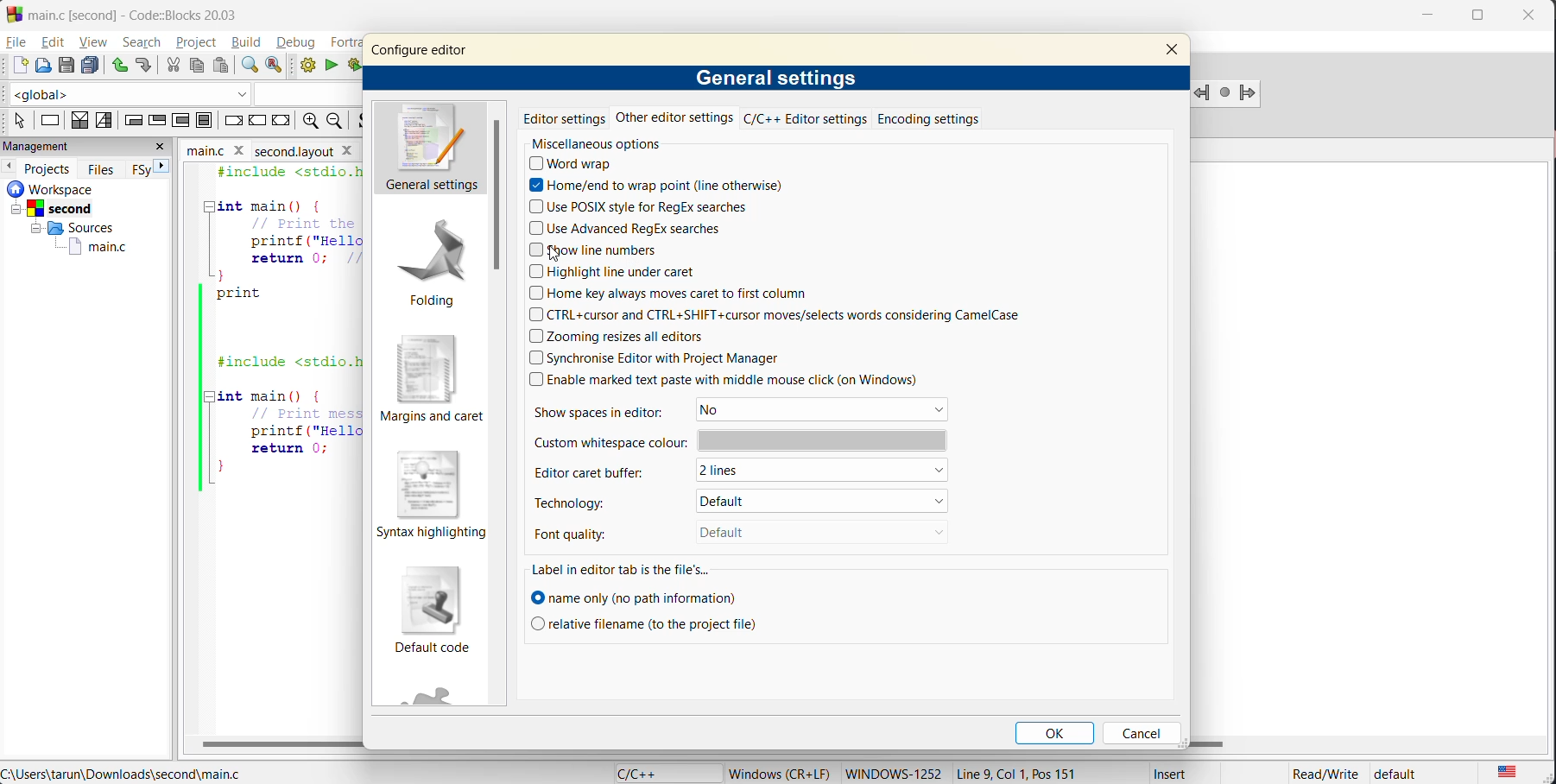 This screenshot has width=1556, height=784. What do you see at coordinates (1224, 93) in the screenshot?
I see `last jump` at bounding box center [1224, 93].